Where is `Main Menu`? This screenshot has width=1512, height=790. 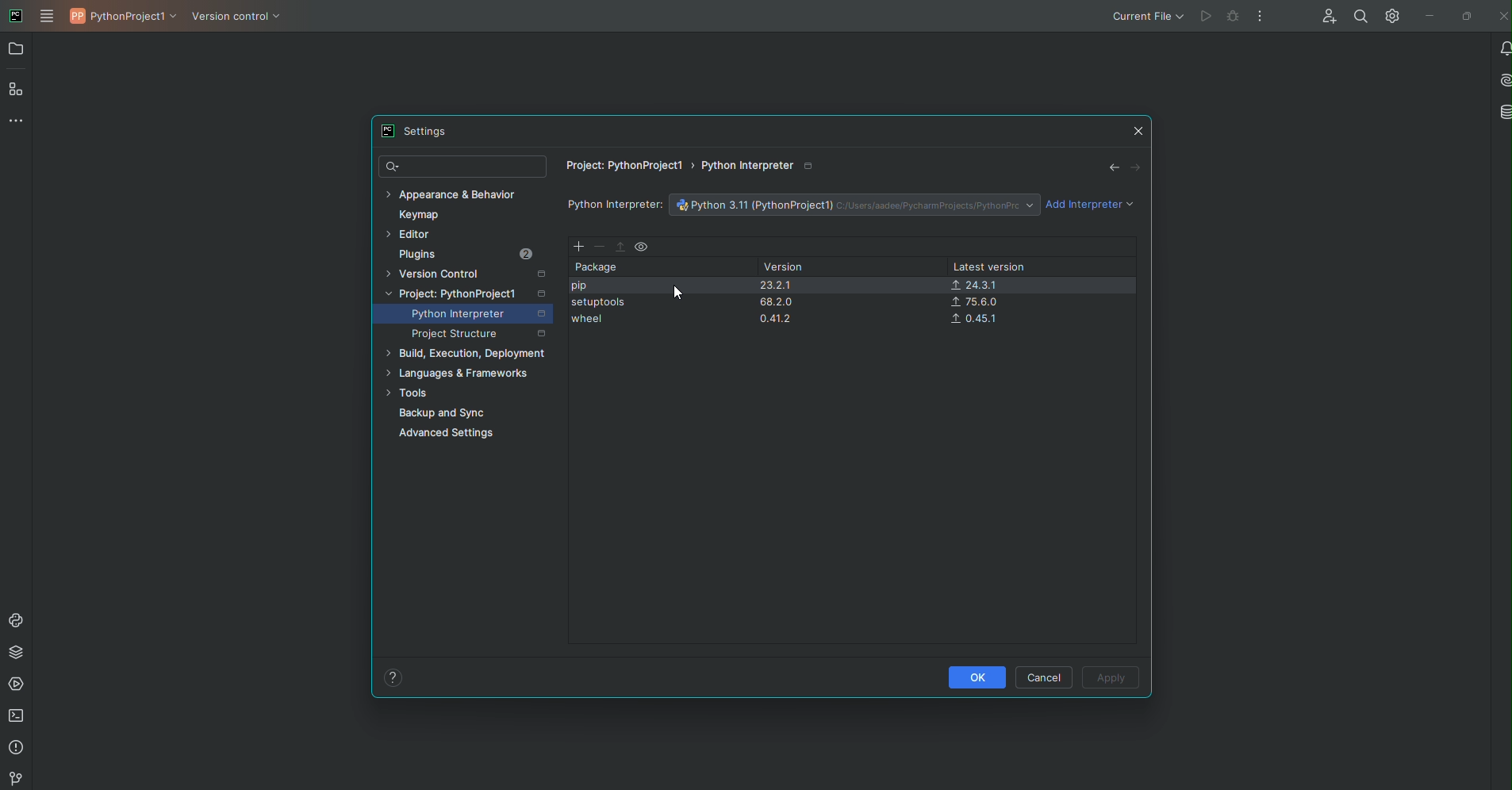
Main Menu is located at coordinates (49, 16).